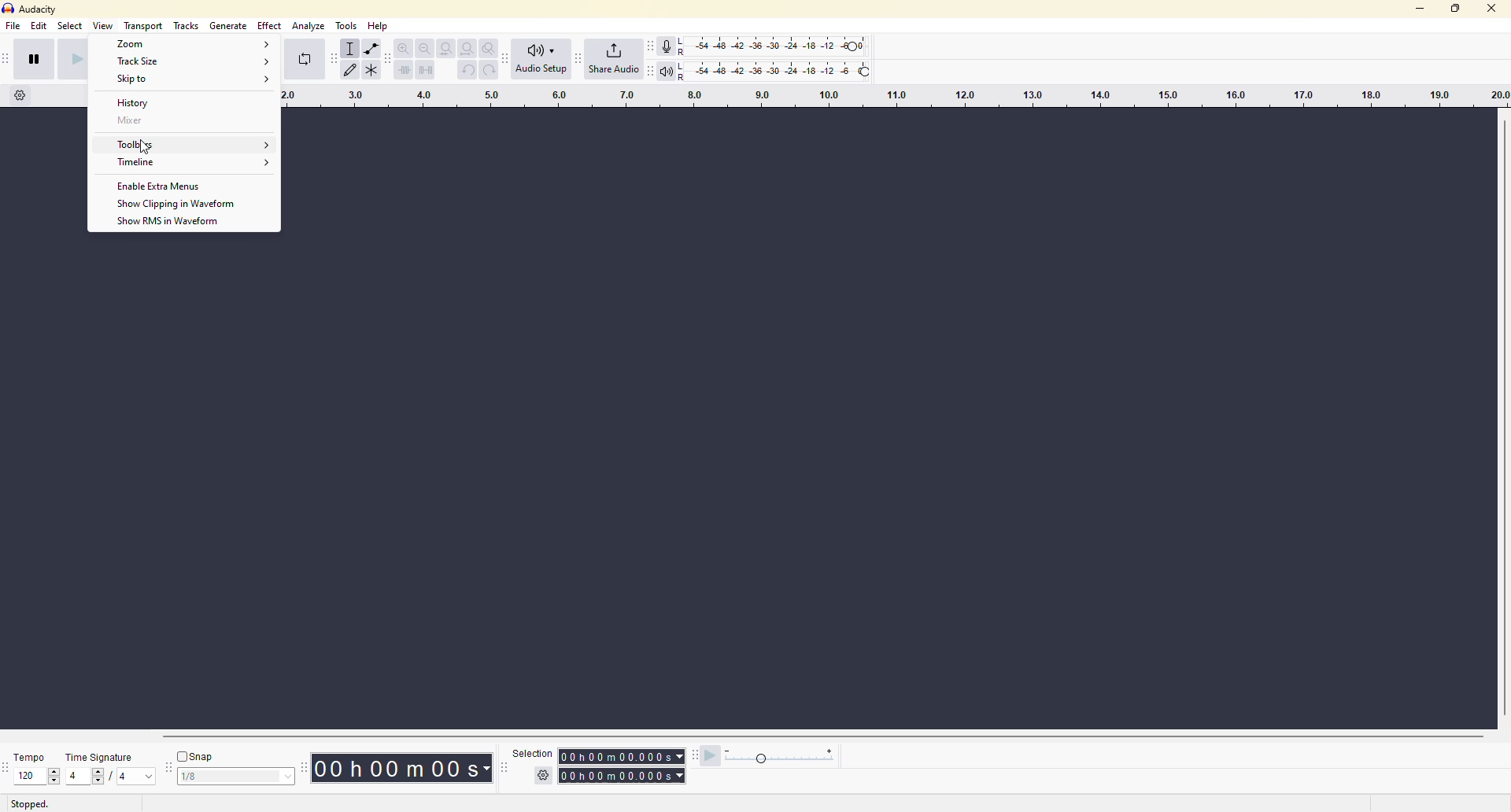  Describe the element at coordinates (31, 10) in the screenshot. I see `audacity` at that location.